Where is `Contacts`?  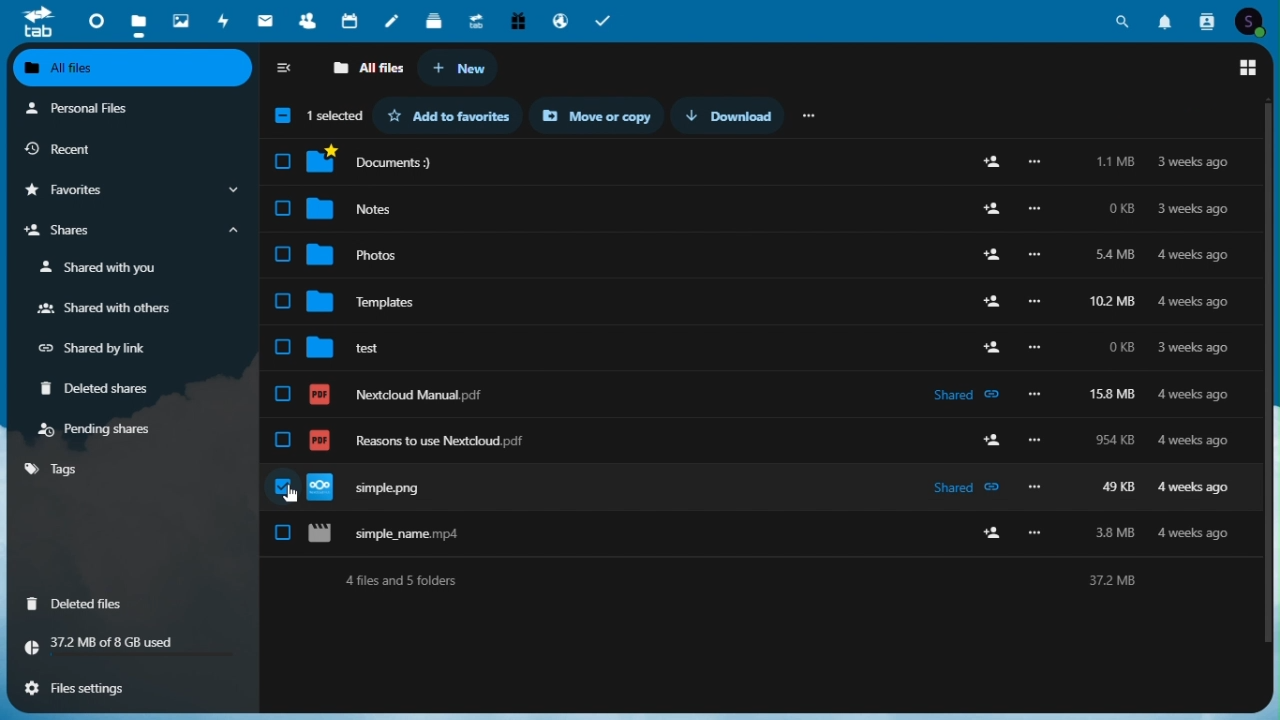 Contacts is located at coordinates (1208, 19).